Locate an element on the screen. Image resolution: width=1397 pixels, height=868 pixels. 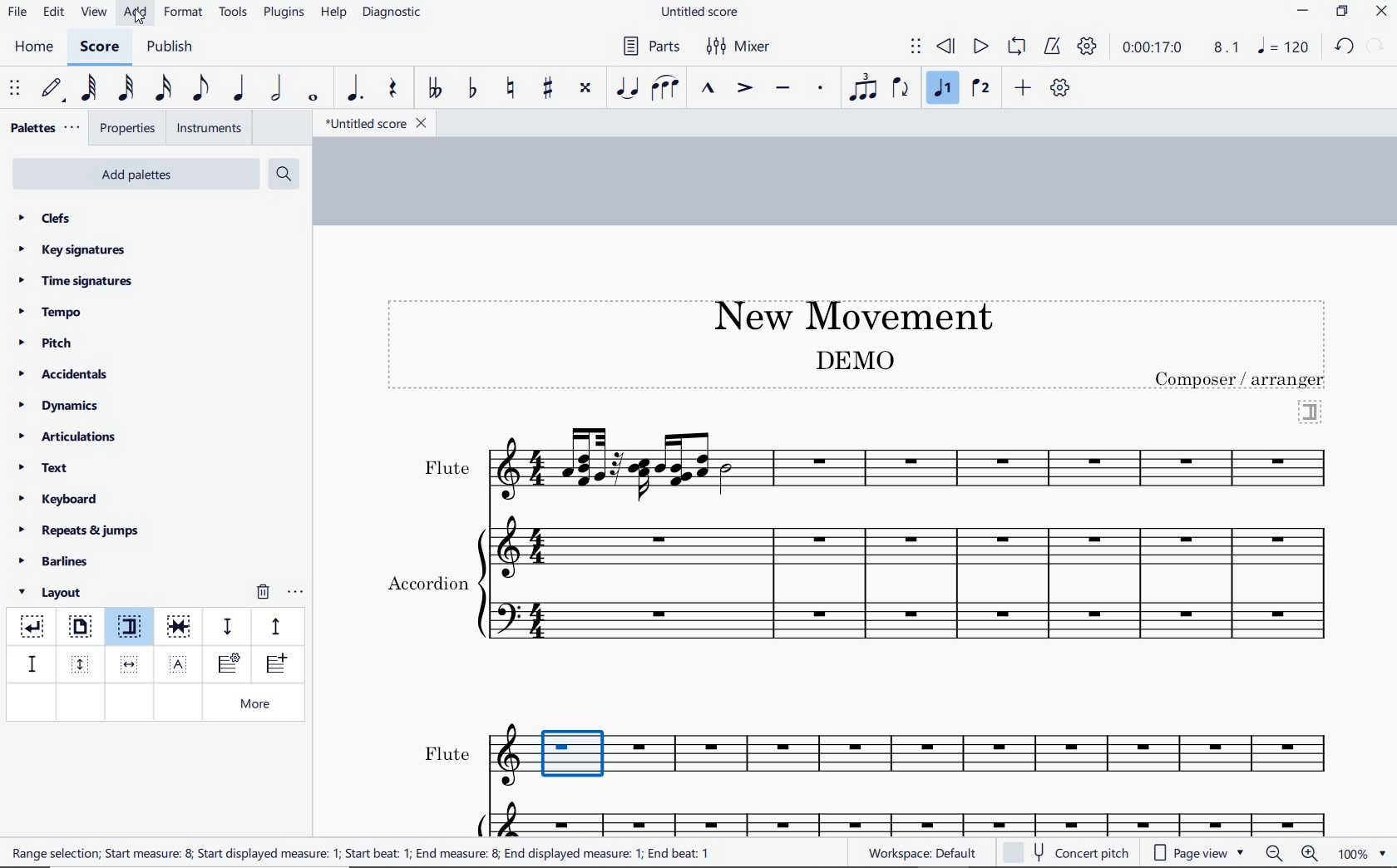
insert vertical frame is located at coordinates (82, 663).